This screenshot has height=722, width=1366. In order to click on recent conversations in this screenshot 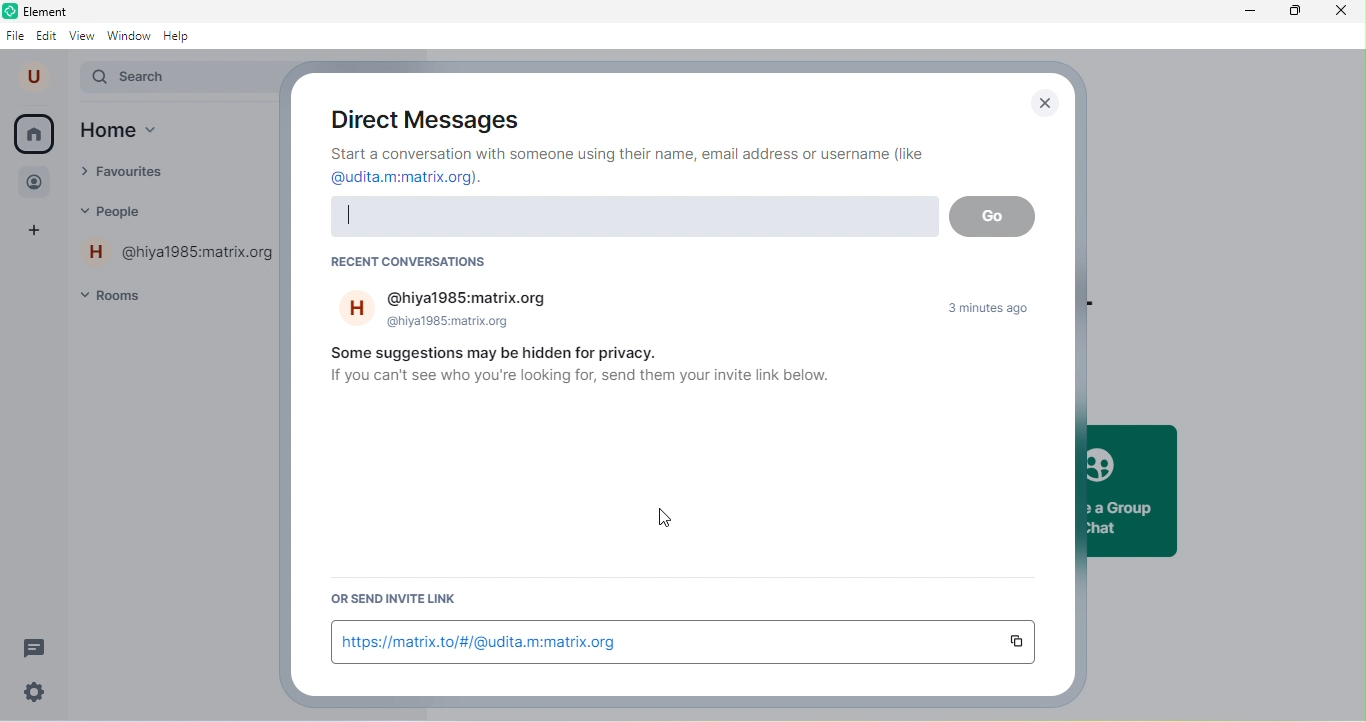, I will do `click(406, 263)`.